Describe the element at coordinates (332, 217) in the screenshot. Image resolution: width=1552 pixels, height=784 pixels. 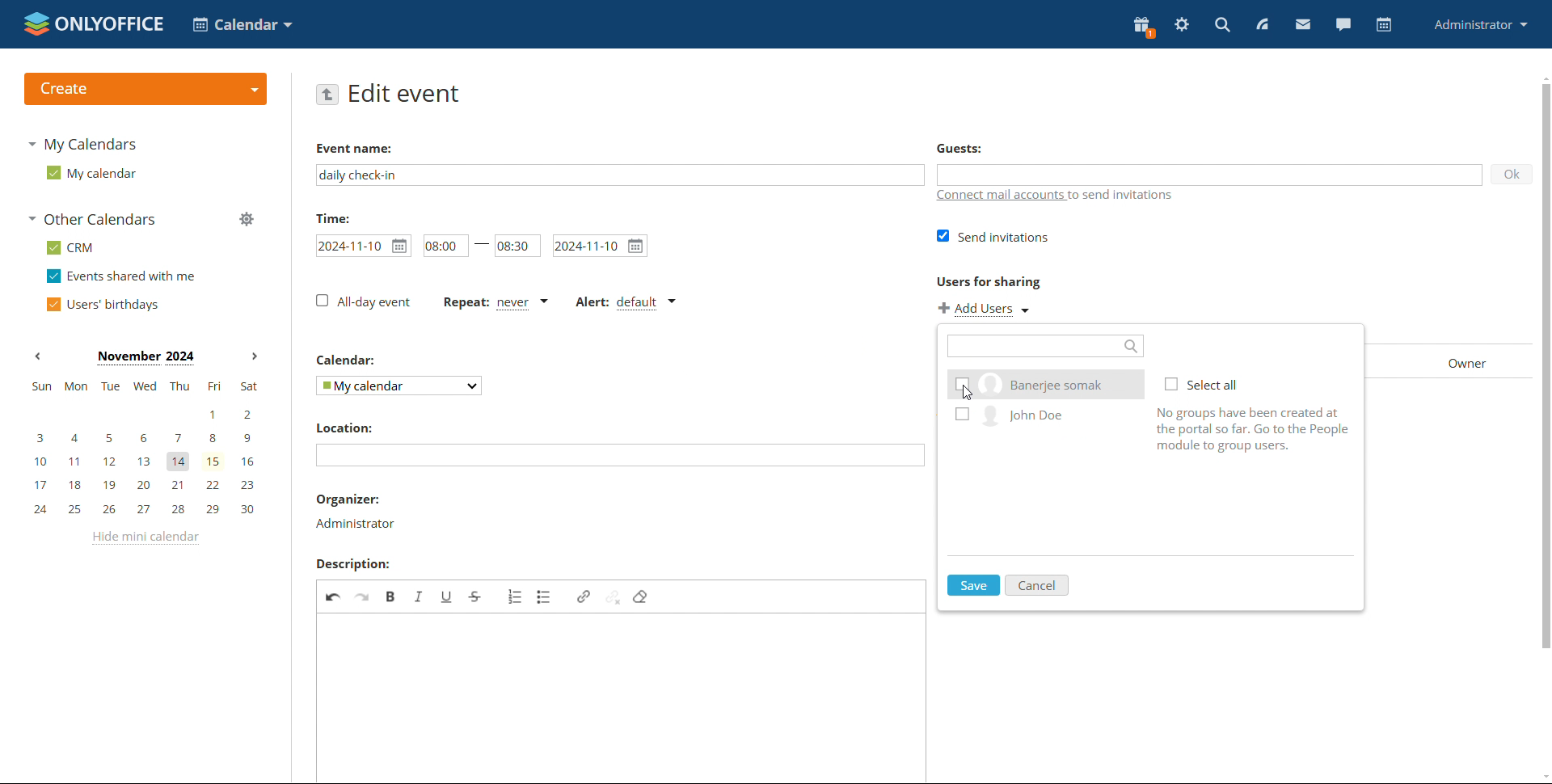
I see `time:` at that location.